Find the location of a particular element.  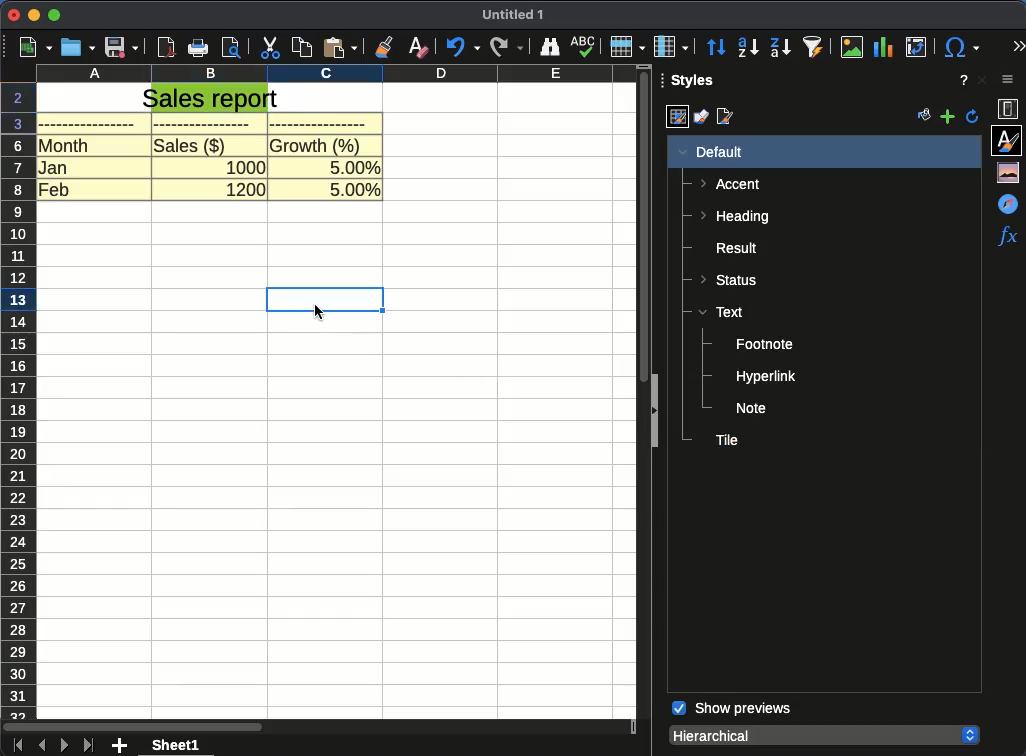

save is located at coordinates (122, 47).